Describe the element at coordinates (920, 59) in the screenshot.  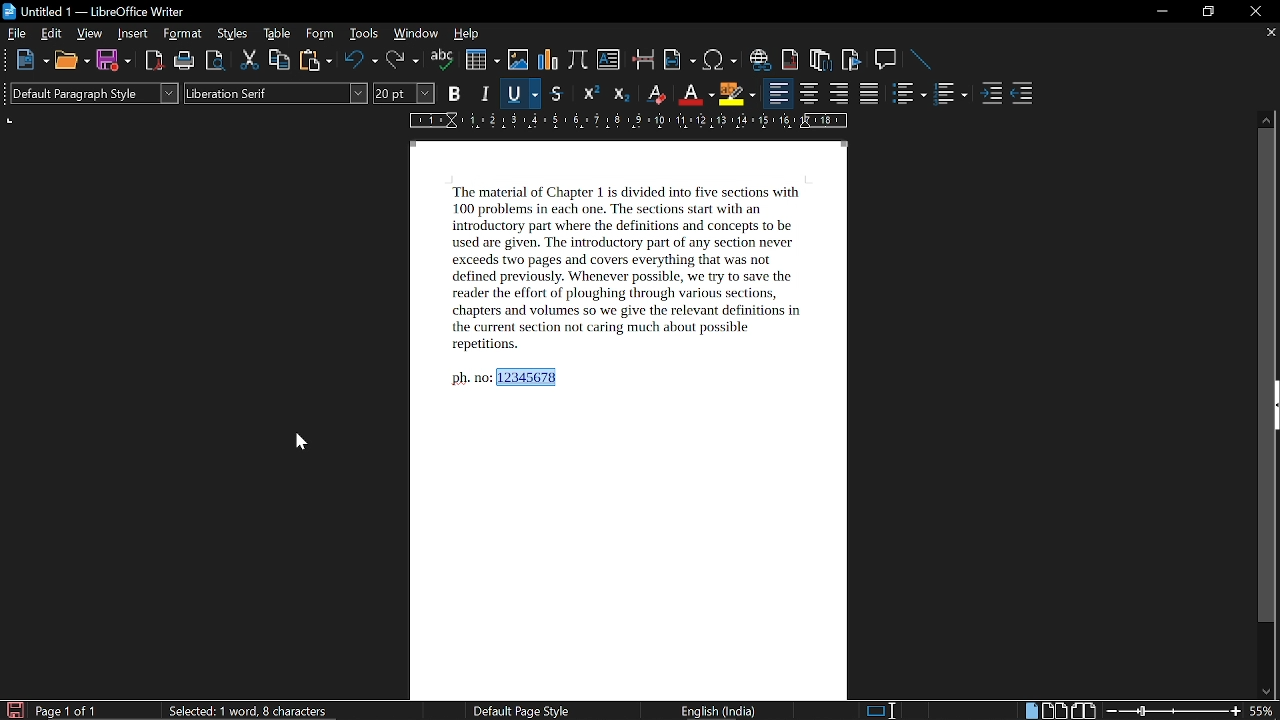
I see `line` at that location.